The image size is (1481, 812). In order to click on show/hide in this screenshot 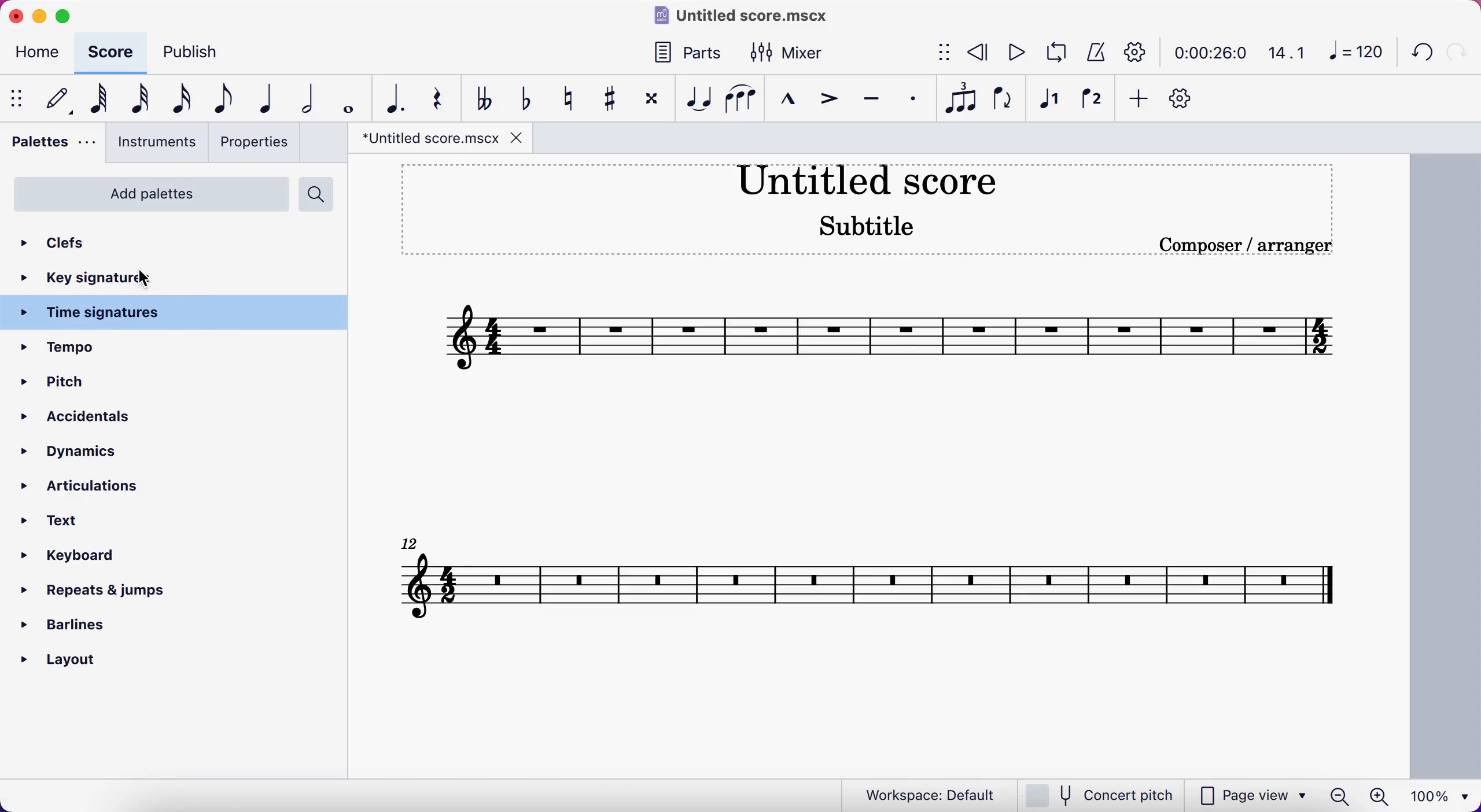, I will do `click(19, 98)`.